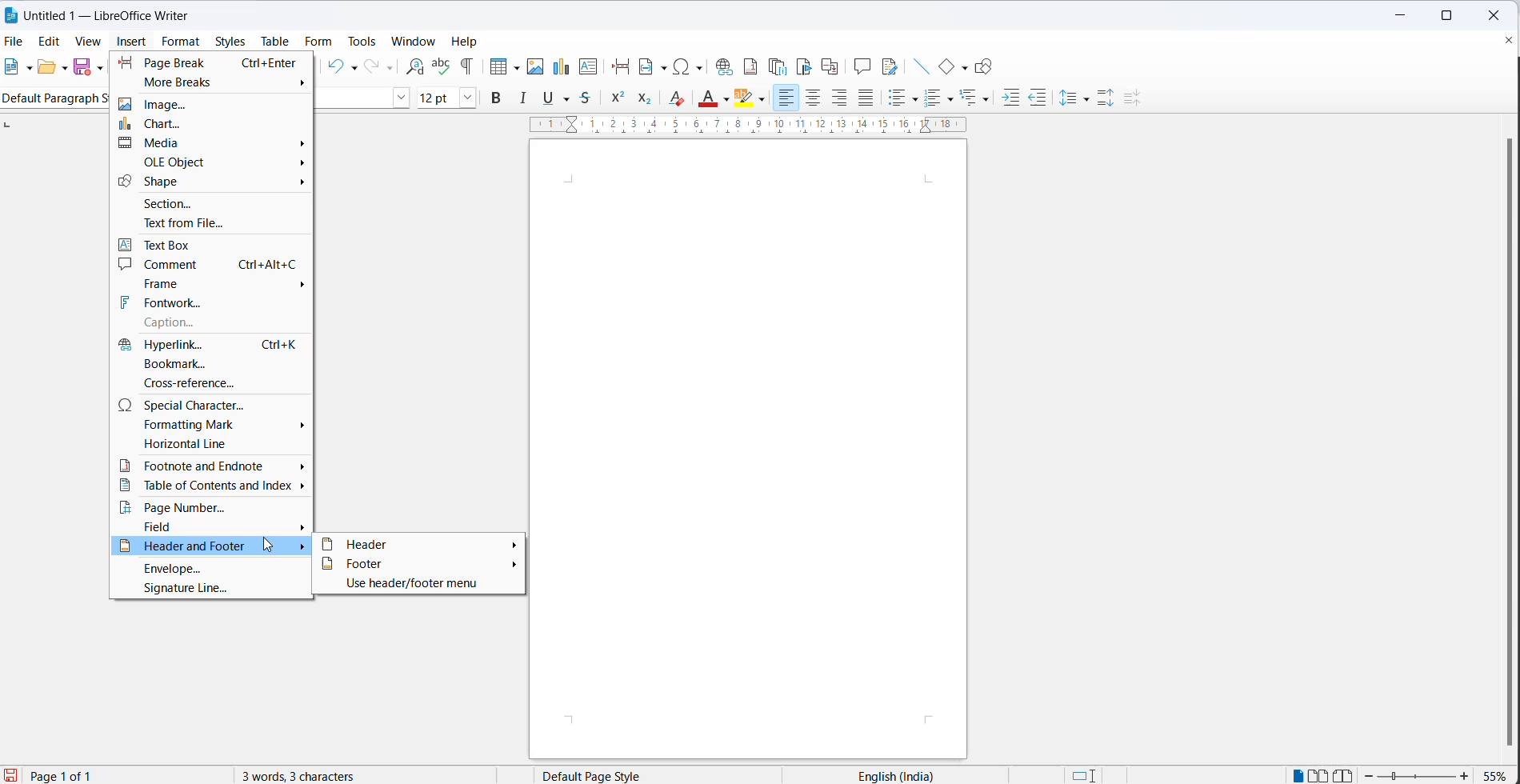  What do you see at coordinates (916, 98) in the screenshot?
I see `toggle unordered list options` at bounding box center [916, 98].